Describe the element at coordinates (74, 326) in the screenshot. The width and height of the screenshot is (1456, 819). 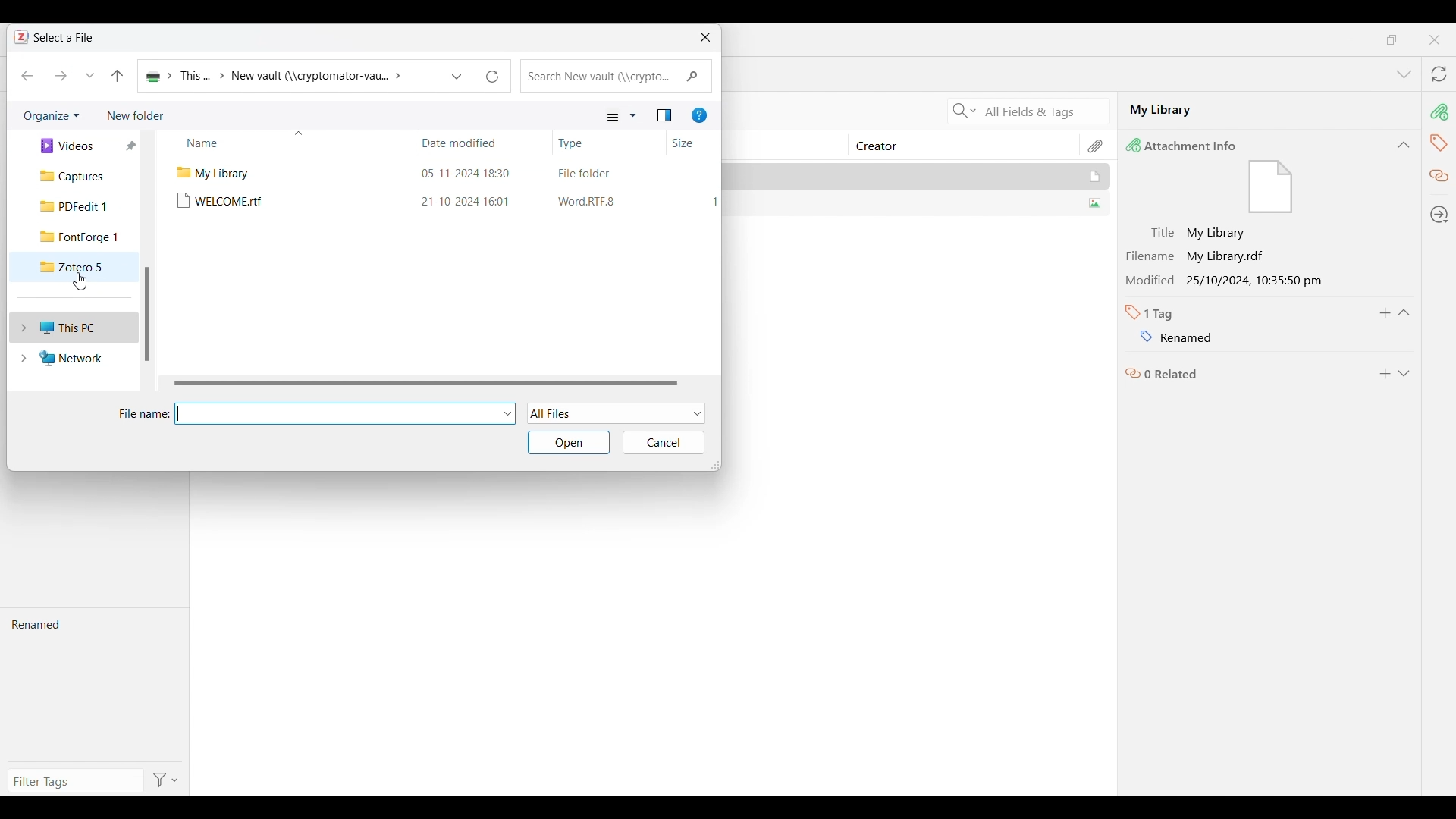
I see `This PC` at that location.